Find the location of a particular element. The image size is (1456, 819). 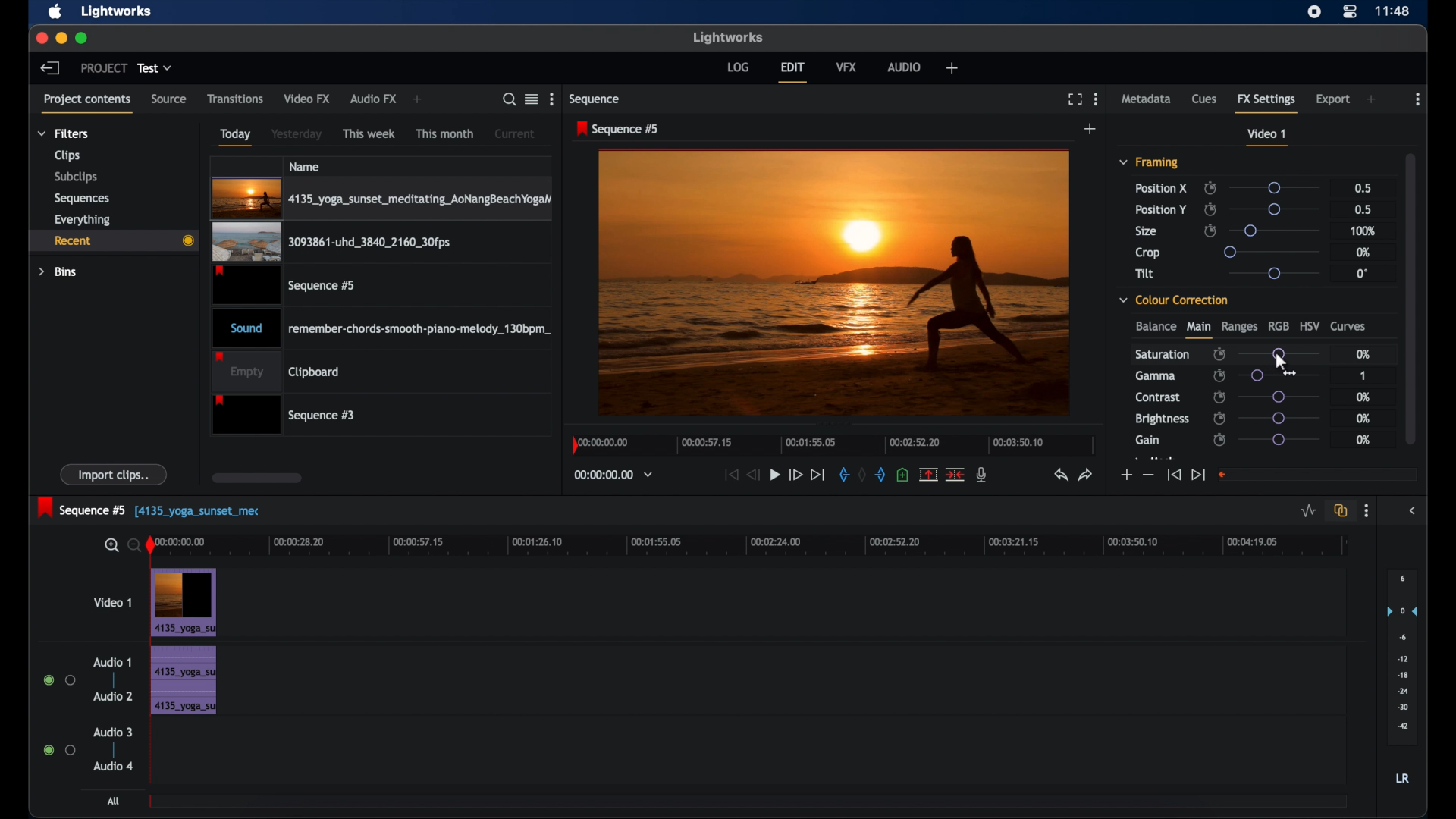

slider is located at coordinates (1279, 418).